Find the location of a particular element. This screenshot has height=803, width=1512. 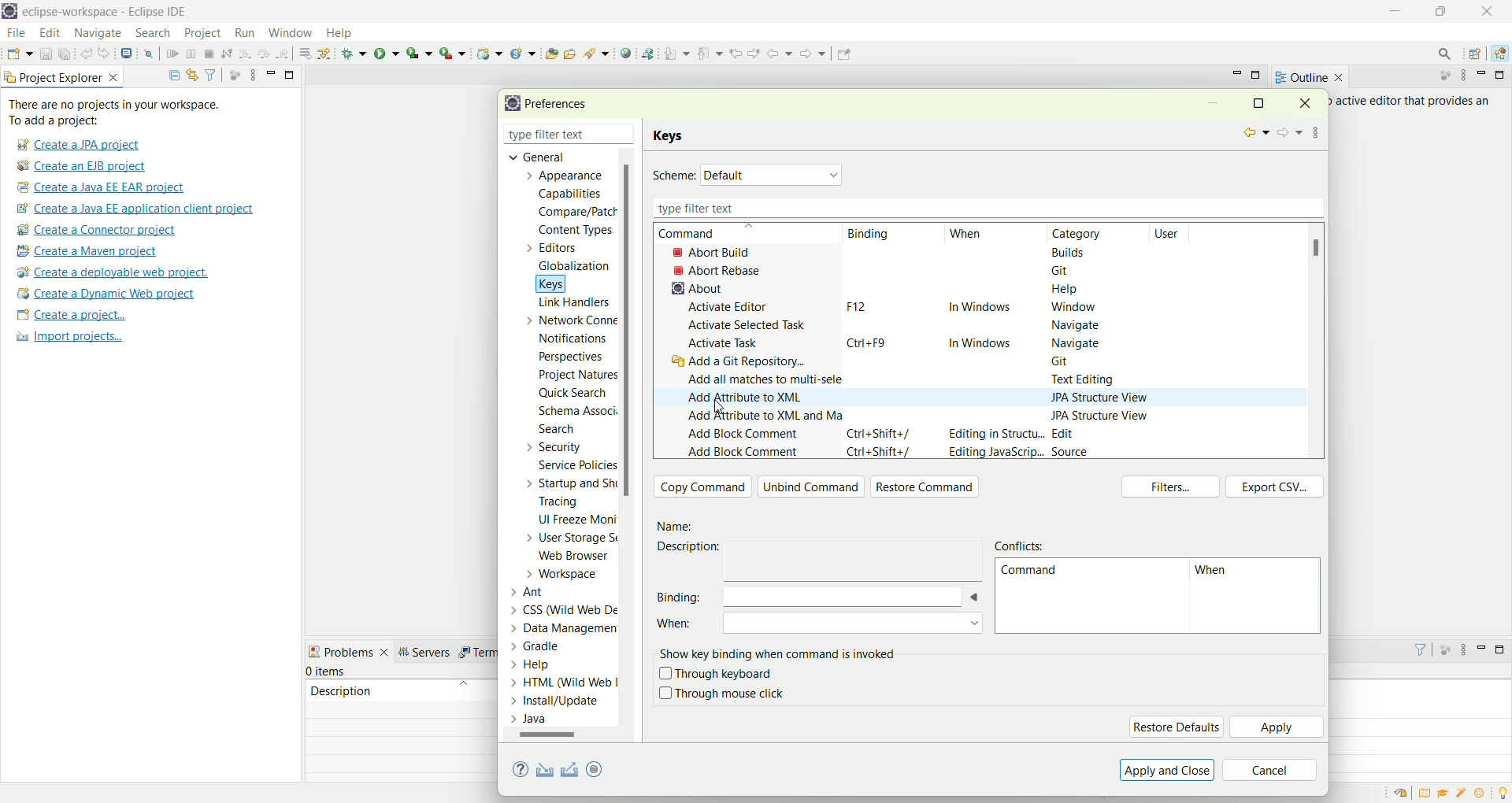

search is located at coordinates (557, 431).